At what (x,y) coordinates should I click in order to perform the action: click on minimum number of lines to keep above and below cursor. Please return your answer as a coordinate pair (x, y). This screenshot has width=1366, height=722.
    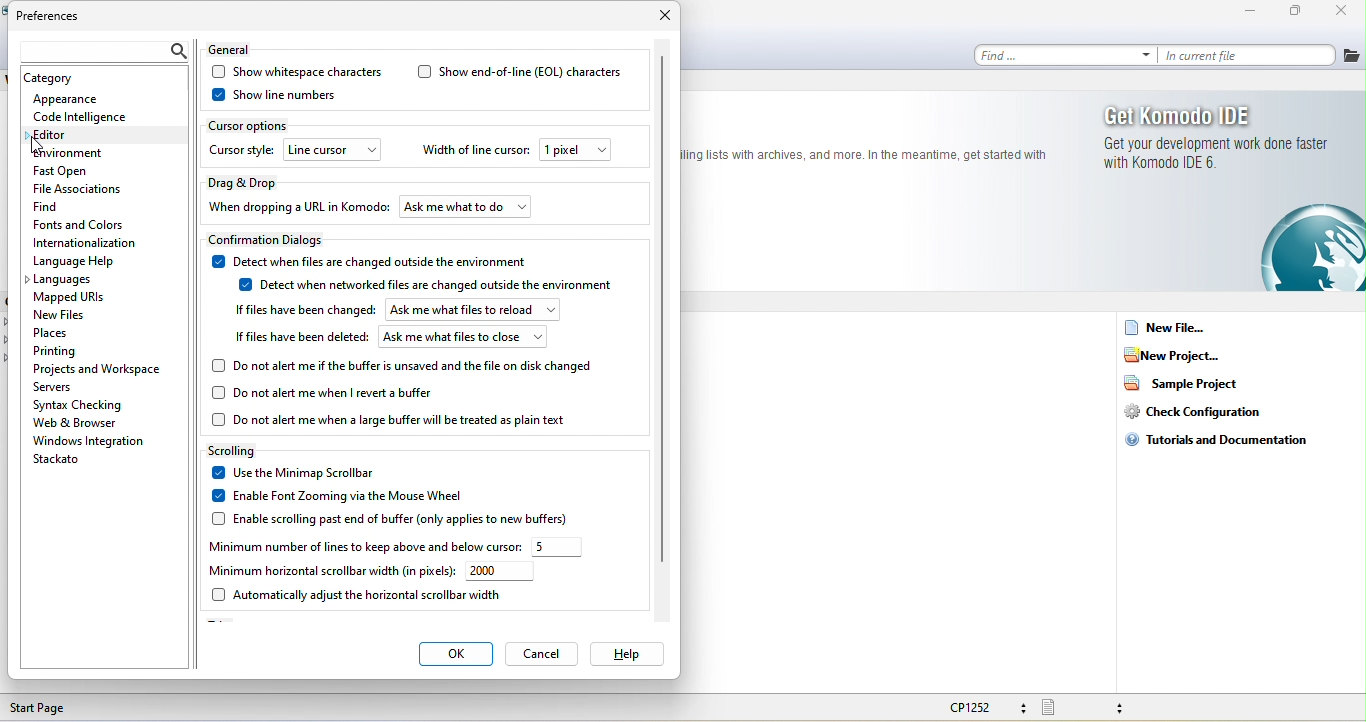
    Looking at the image, I should click on (362, 548).